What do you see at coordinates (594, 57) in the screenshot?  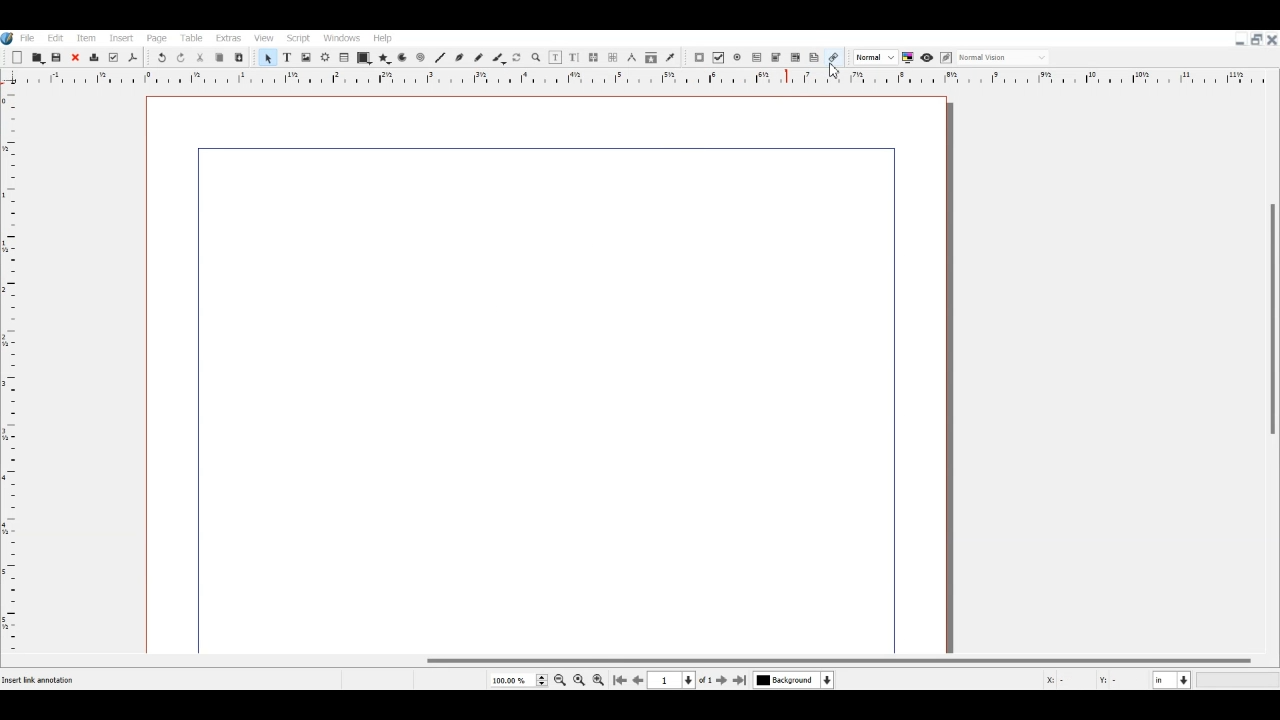 I see `Link text Frame` at bounding box center [594, 57].